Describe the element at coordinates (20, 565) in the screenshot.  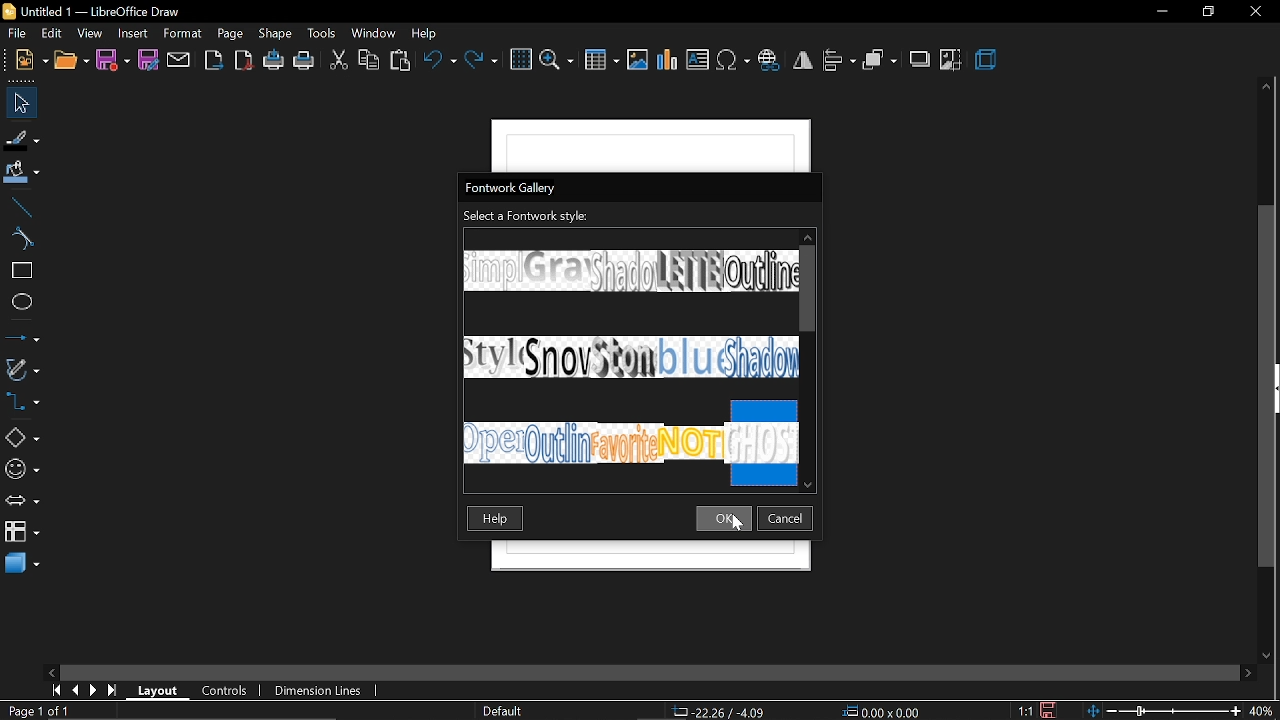
I see `3d shapes` at that location.